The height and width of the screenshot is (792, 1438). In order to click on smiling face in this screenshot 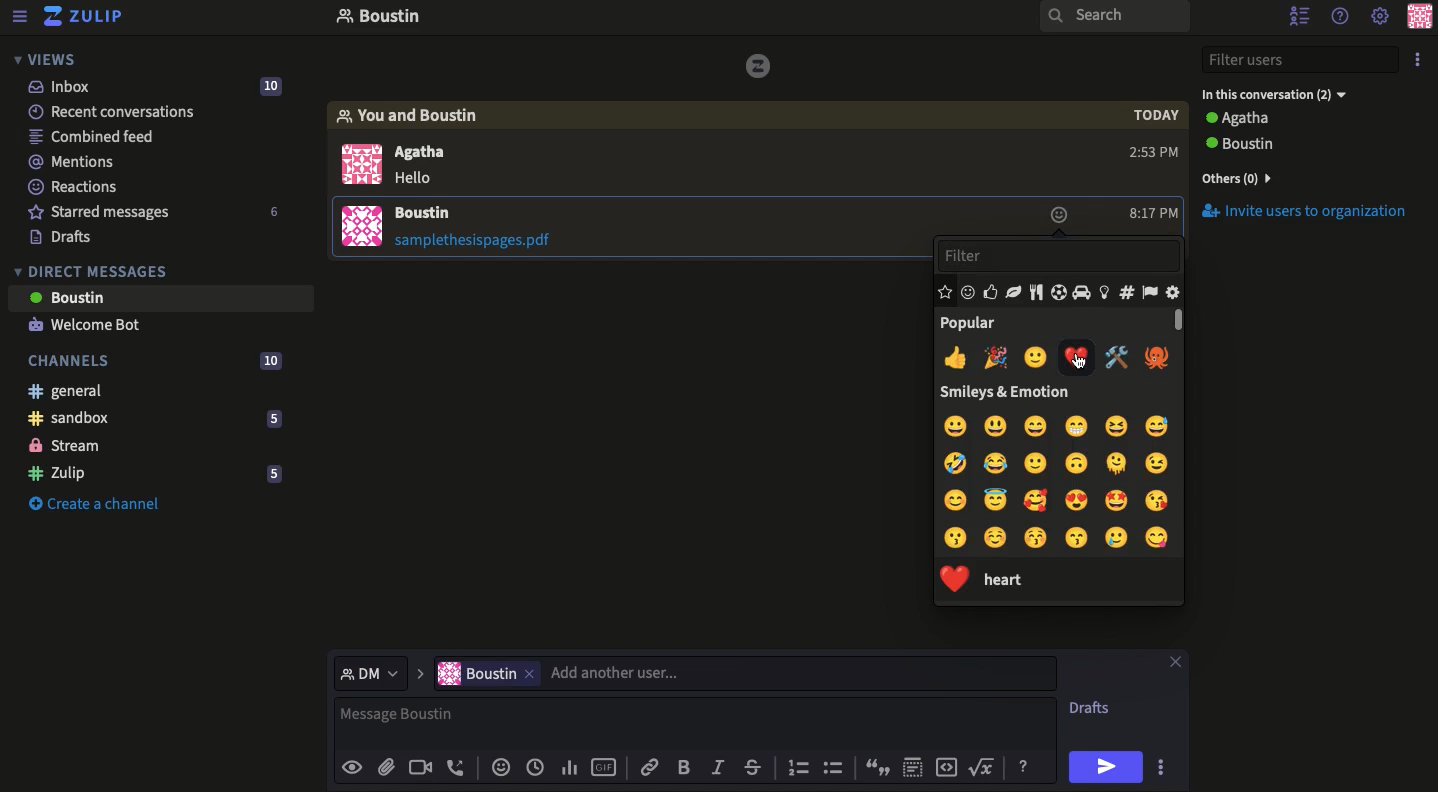, I will do `click(1000, 539)`.